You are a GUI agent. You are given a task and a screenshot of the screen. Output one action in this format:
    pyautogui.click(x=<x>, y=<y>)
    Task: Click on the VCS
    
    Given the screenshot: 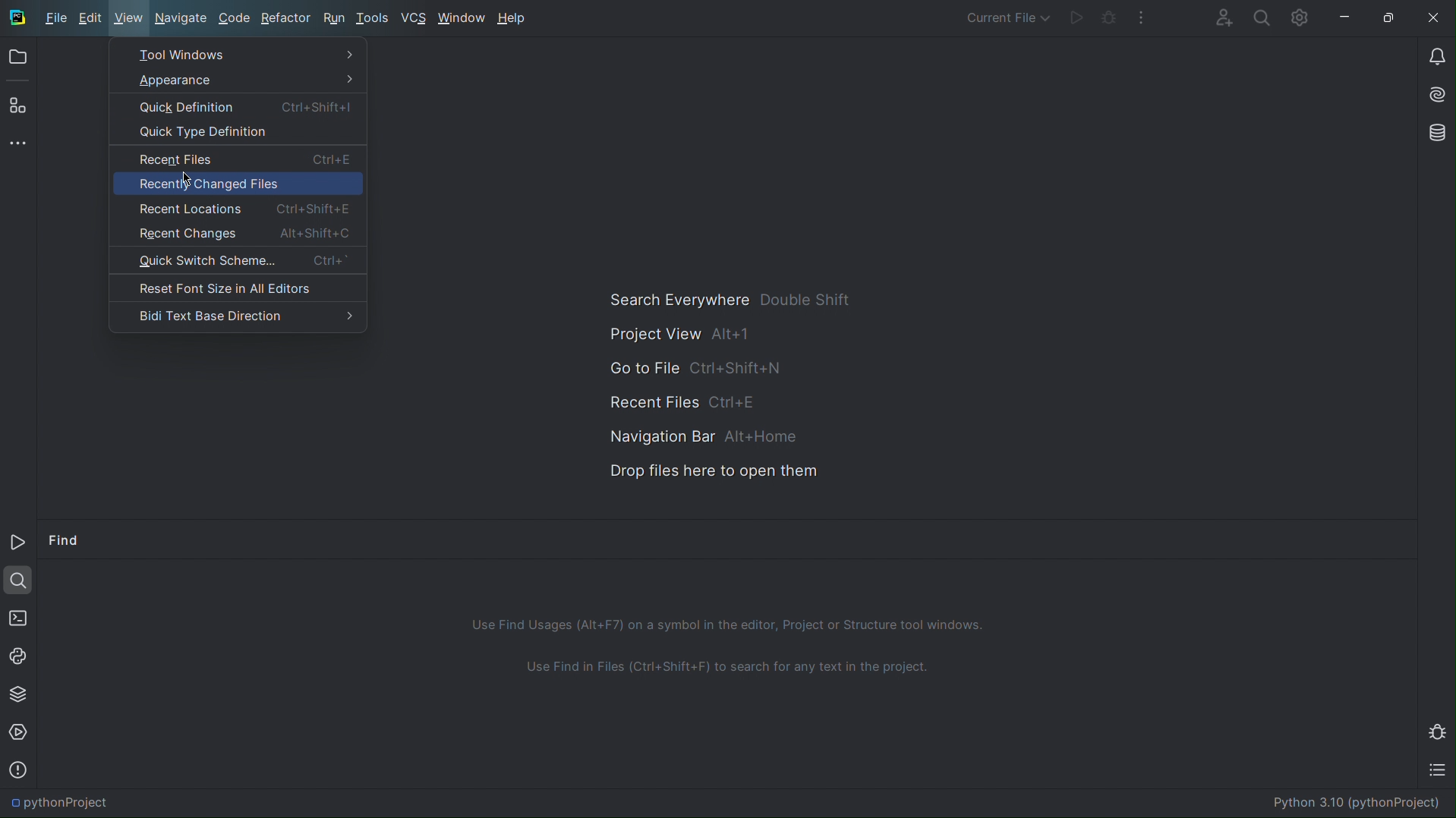 What is the action you would take?
    pyautogui.click(x=415, y=19)
    